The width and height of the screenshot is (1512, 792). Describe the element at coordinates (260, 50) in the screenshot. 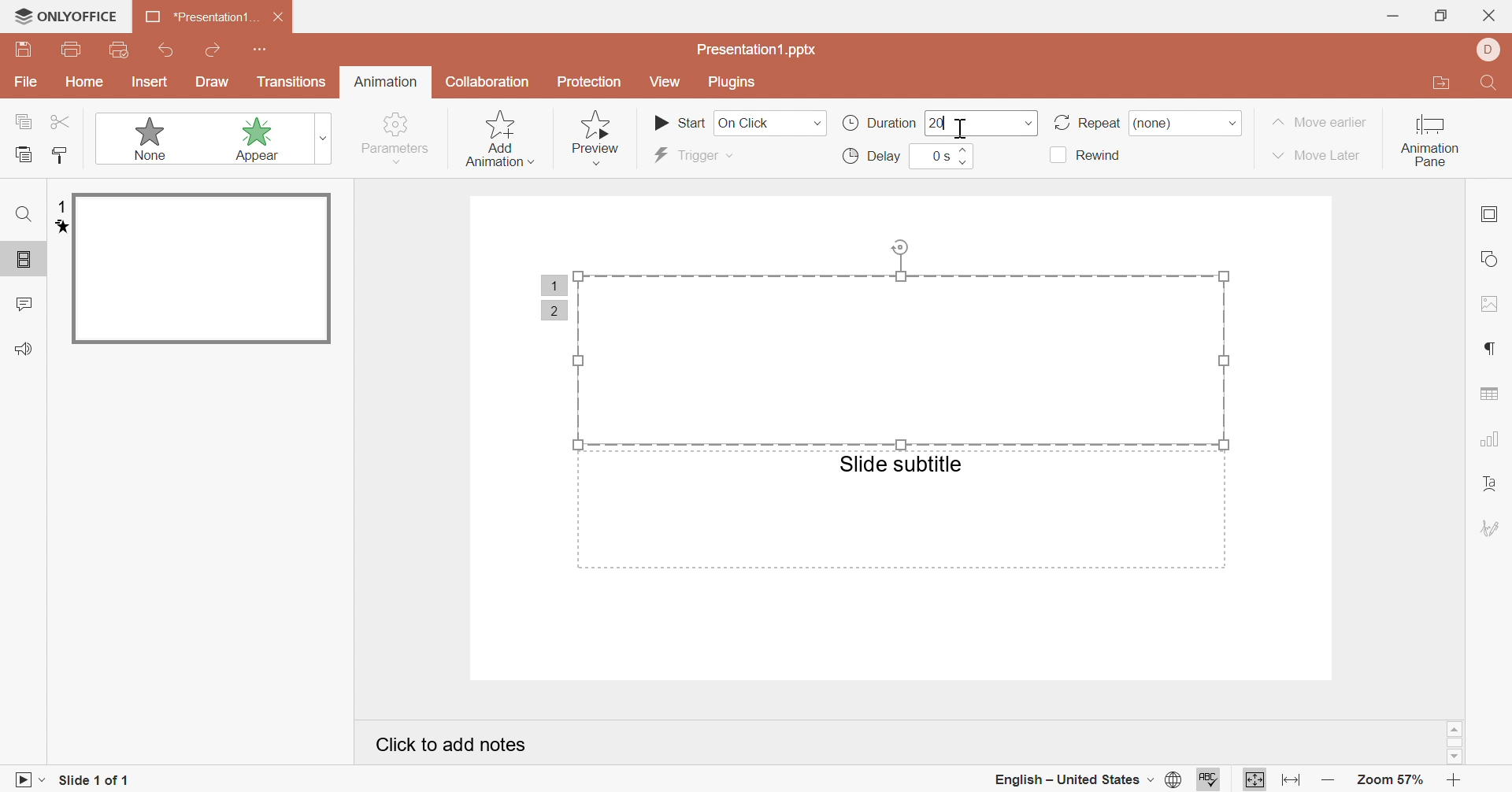

I see `customize quick access toolbar` at that location.